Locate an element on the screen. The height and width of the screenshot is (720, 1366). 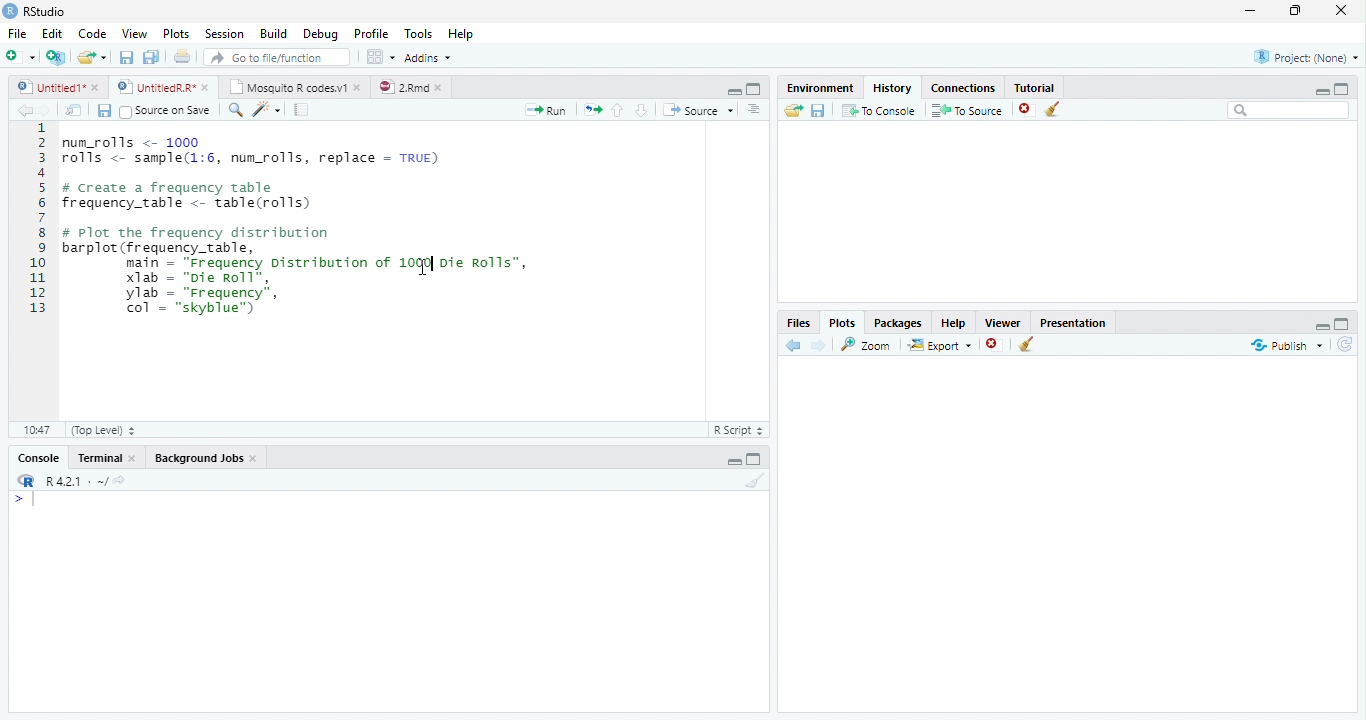
©) 28md is located at coordinates (410, 87).